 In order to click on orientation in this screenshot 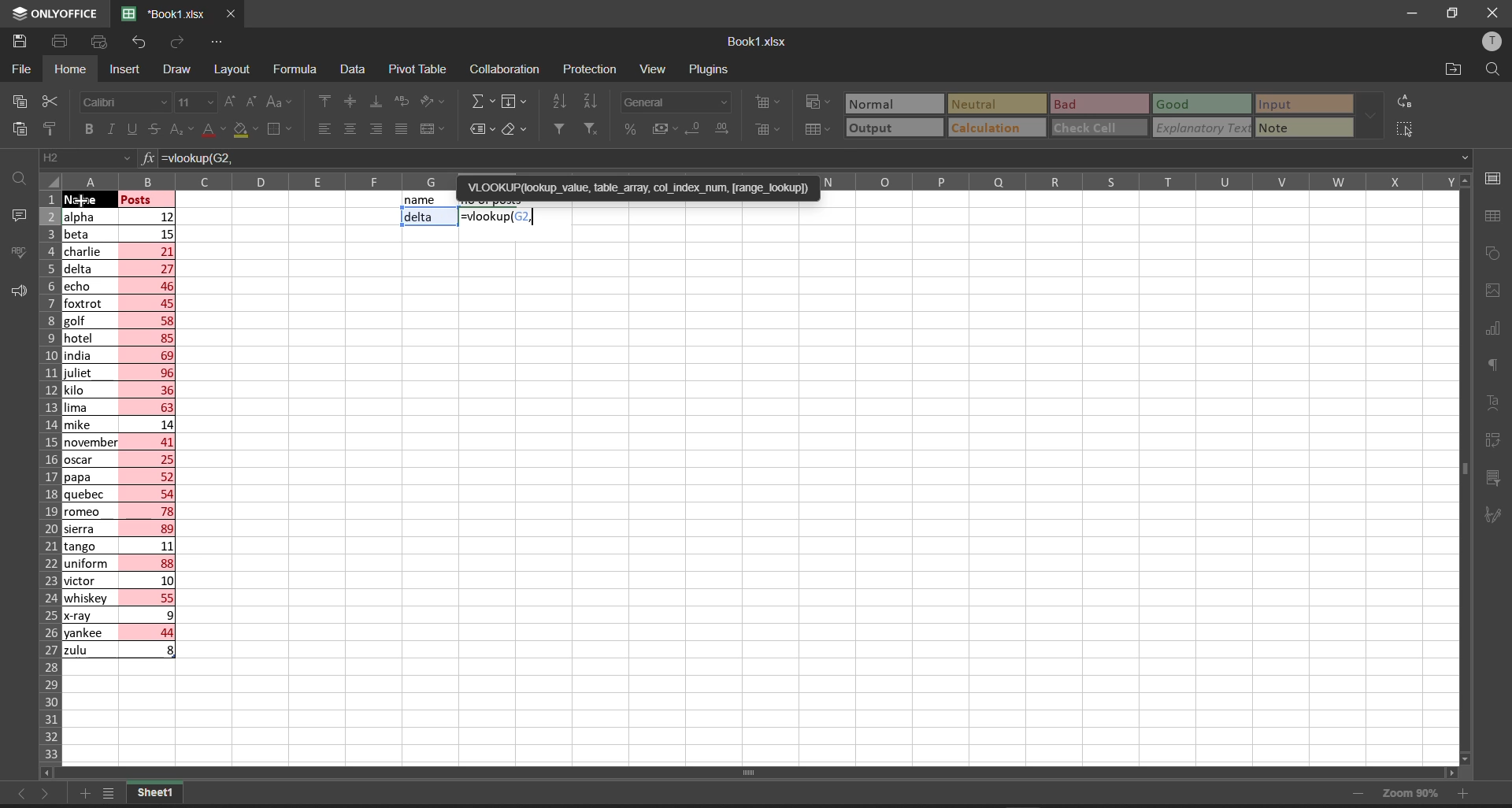, I will do `click(436, 102)`.